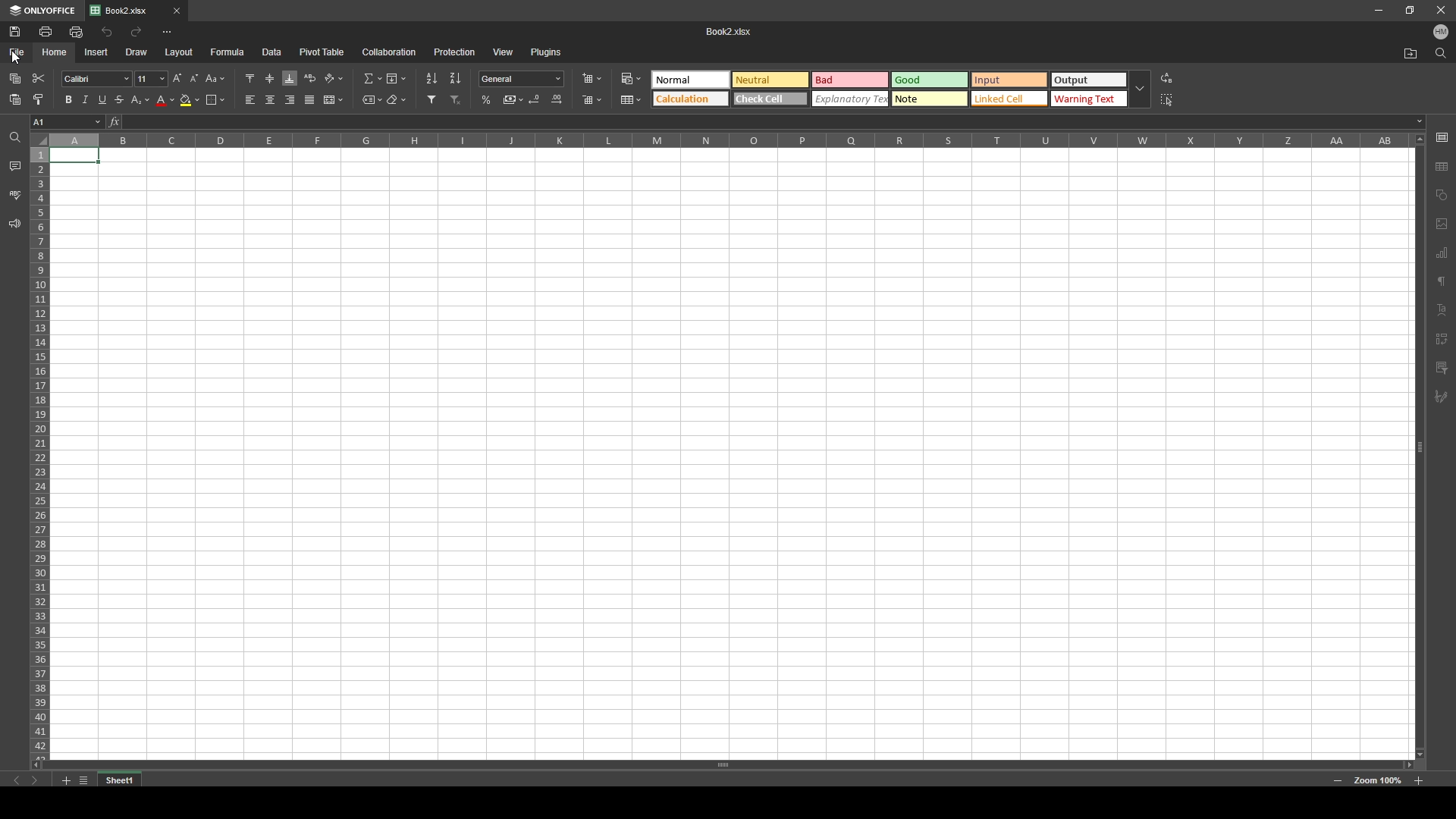  I want to click on chart, so click(1443, 254).